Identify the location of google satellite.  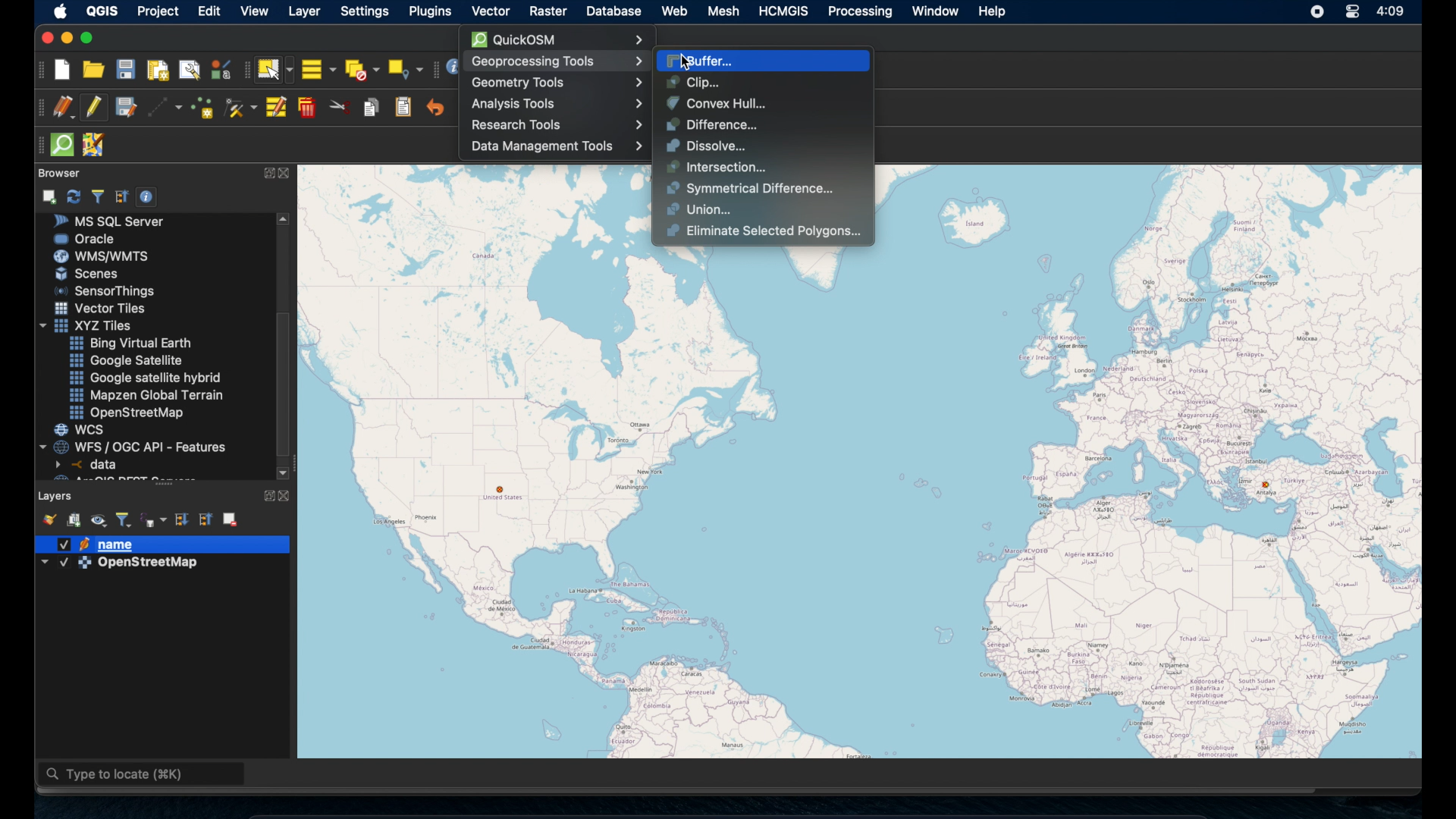
(125, 361).